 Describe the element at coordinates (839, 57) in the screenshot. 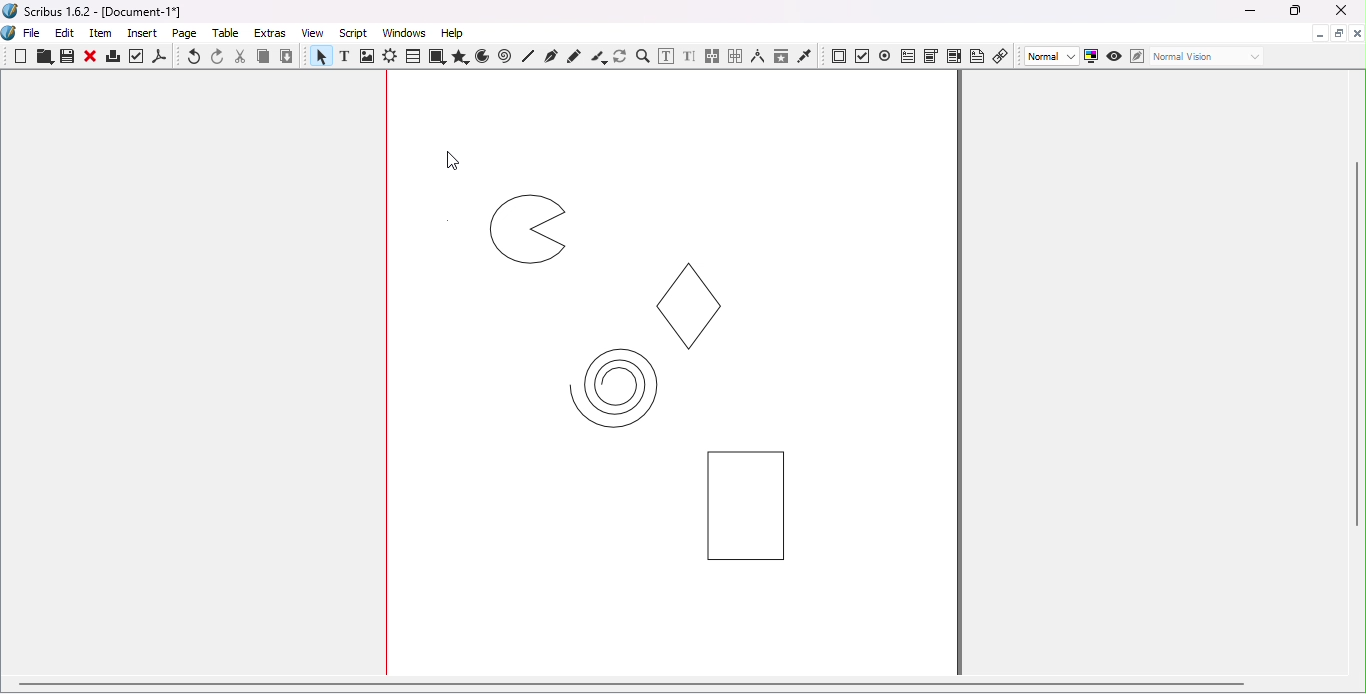

I see `PDF push button` at that location.